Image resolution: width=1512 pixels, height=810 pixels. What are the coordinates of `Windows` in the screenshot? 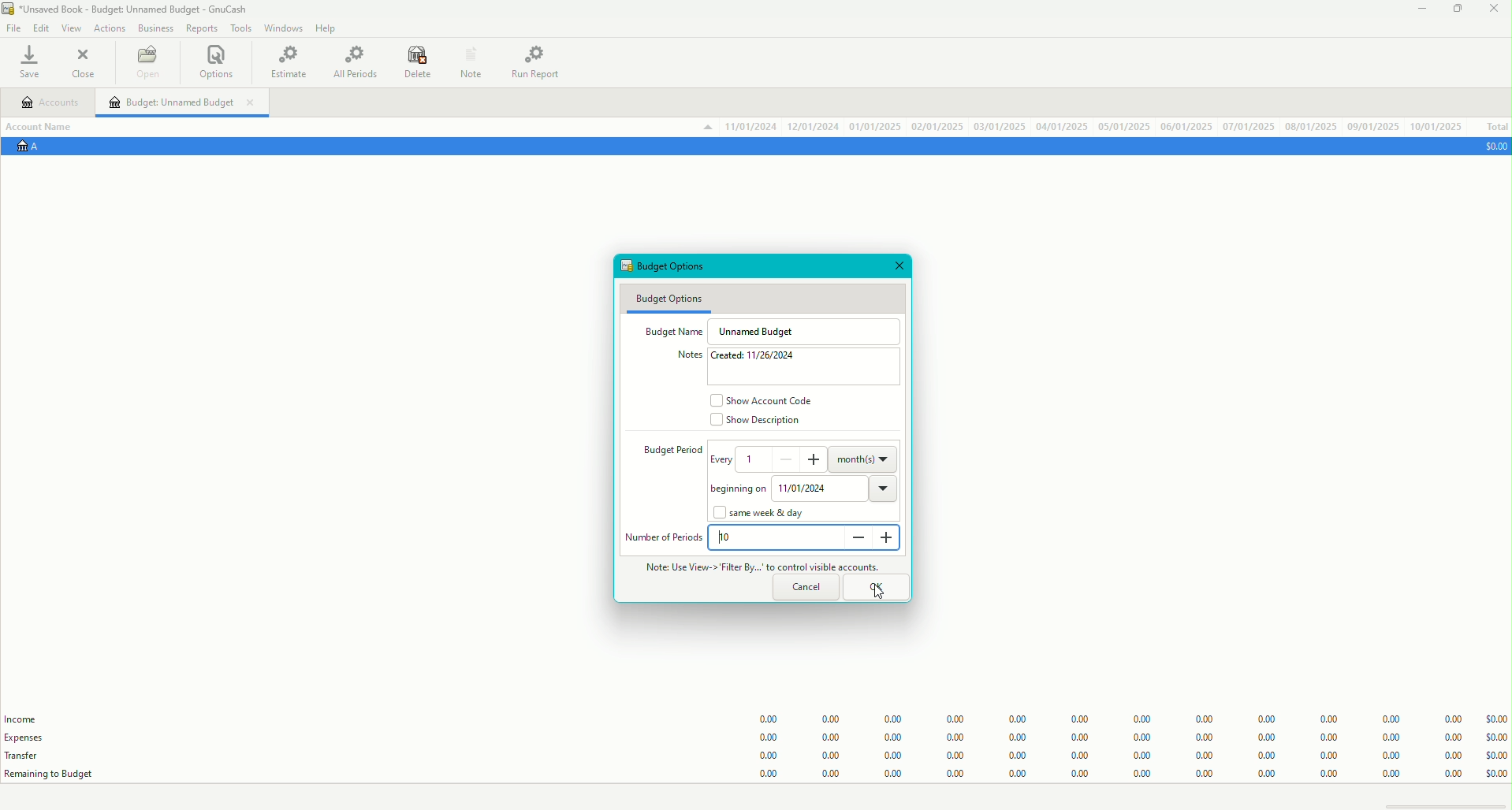 It's located at (283, 30).